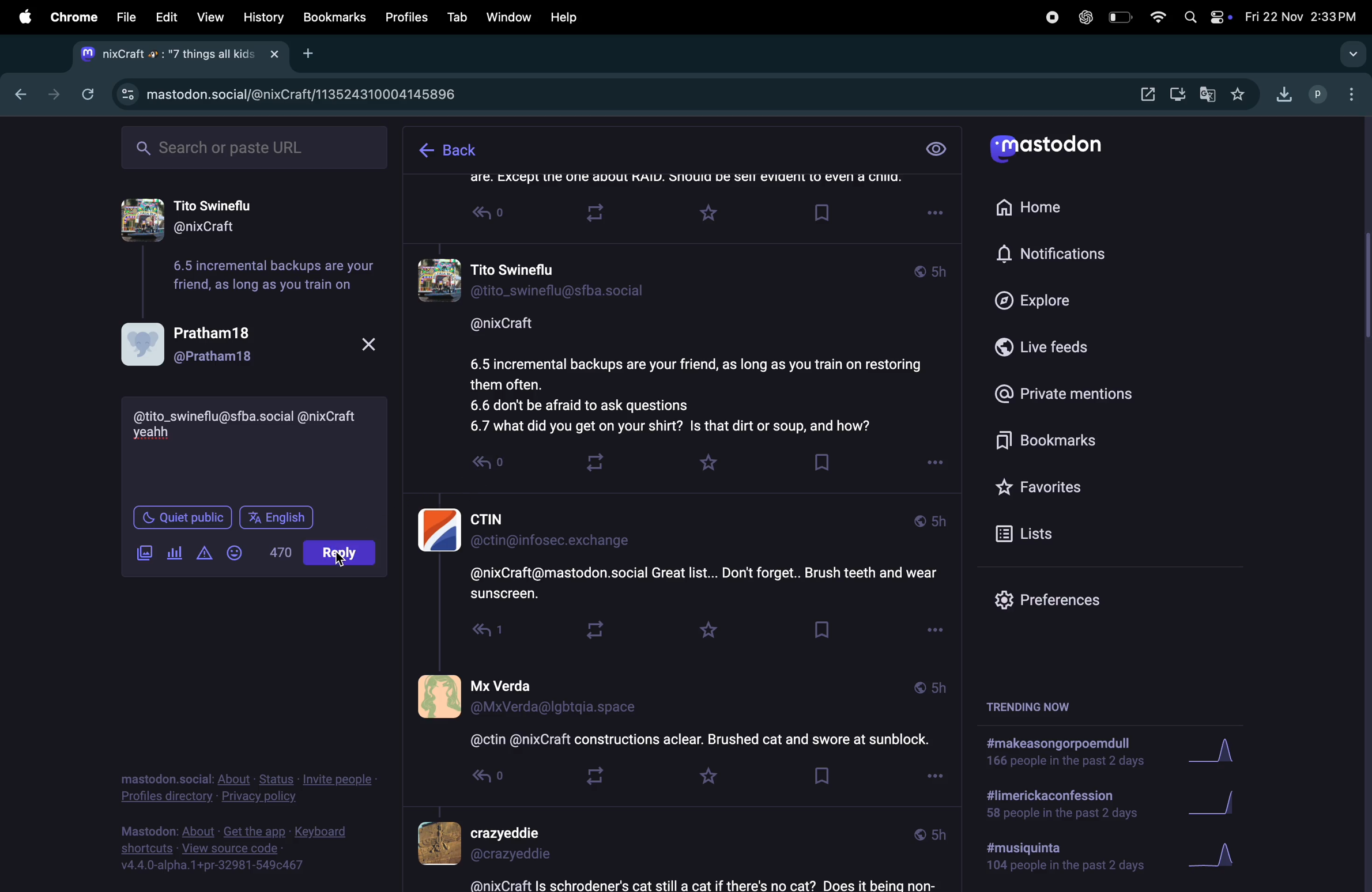 This screenshot has height=892, width=1372. What do you see at coordinates (1076, 490) in the screenshot?
I see `favourites` at bounding box center [1076, 490].